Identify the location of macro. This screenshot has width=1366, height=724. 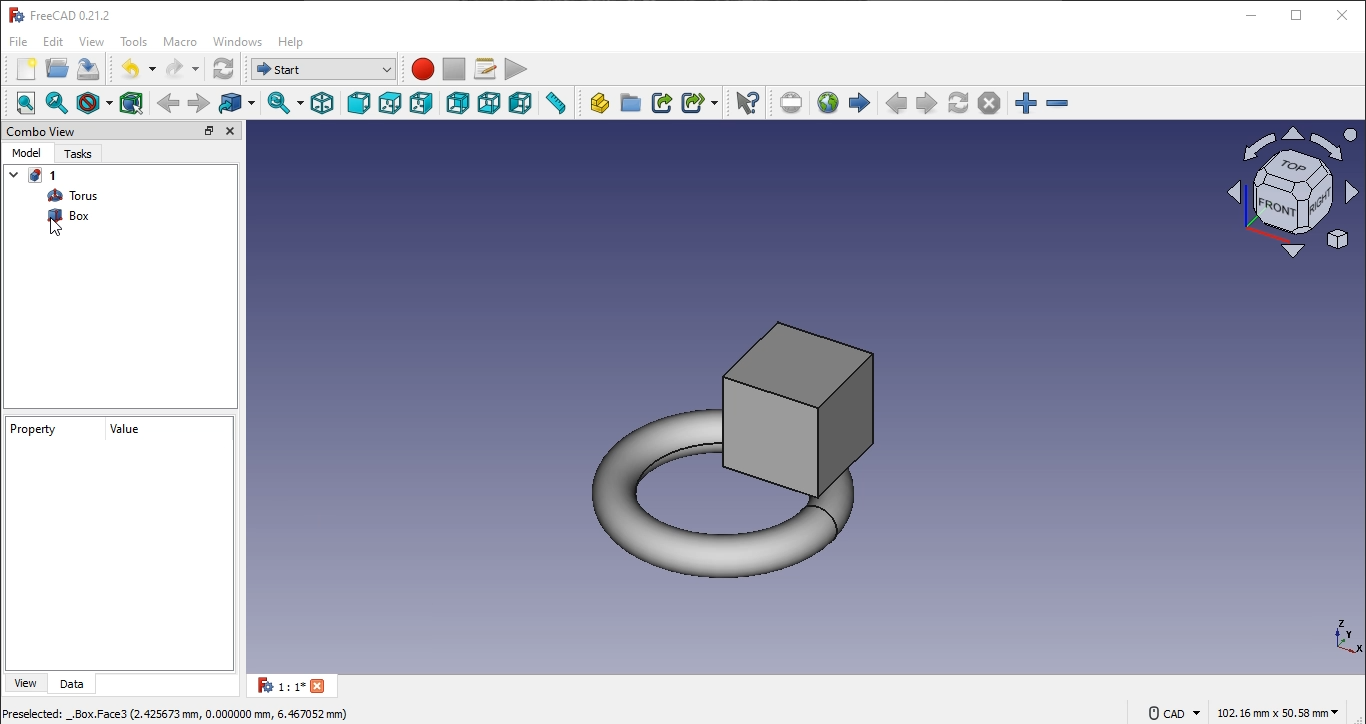
(181, 44).